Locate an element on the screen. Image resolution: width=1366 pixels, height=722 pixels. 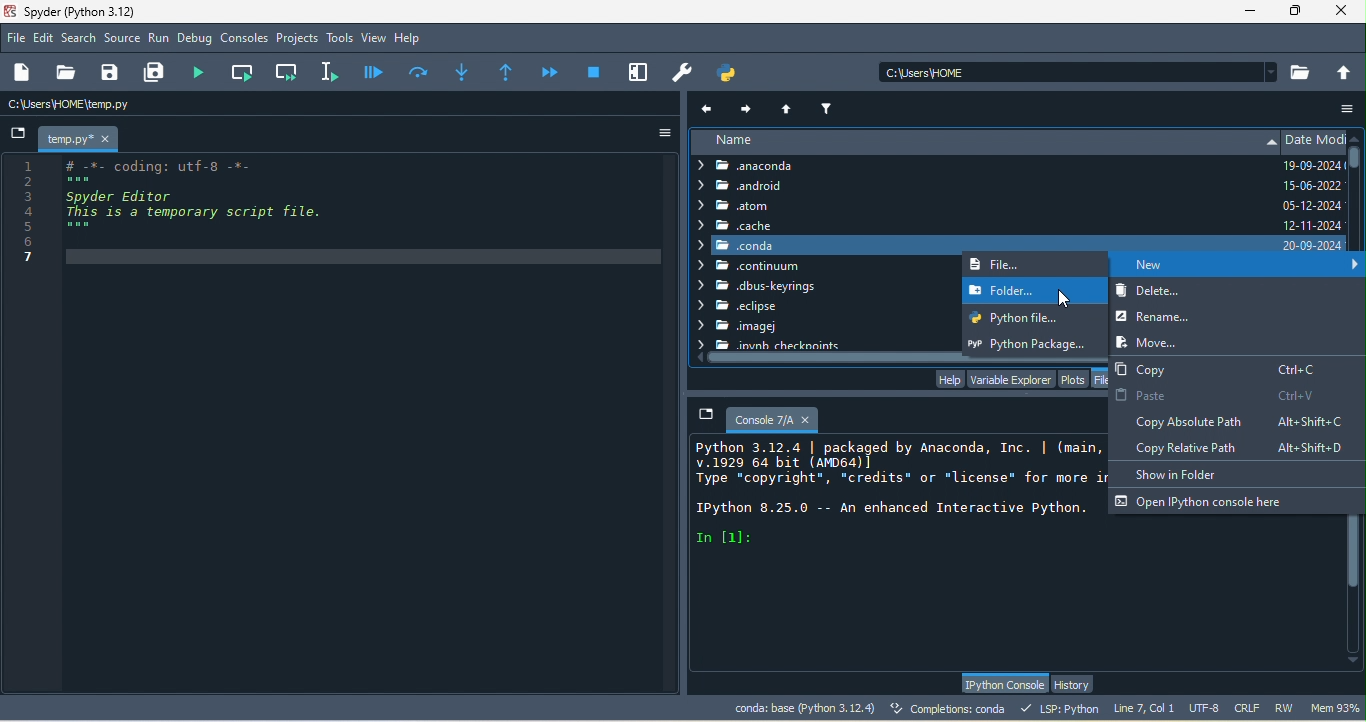
conda base is located at coordinates (804, 708).